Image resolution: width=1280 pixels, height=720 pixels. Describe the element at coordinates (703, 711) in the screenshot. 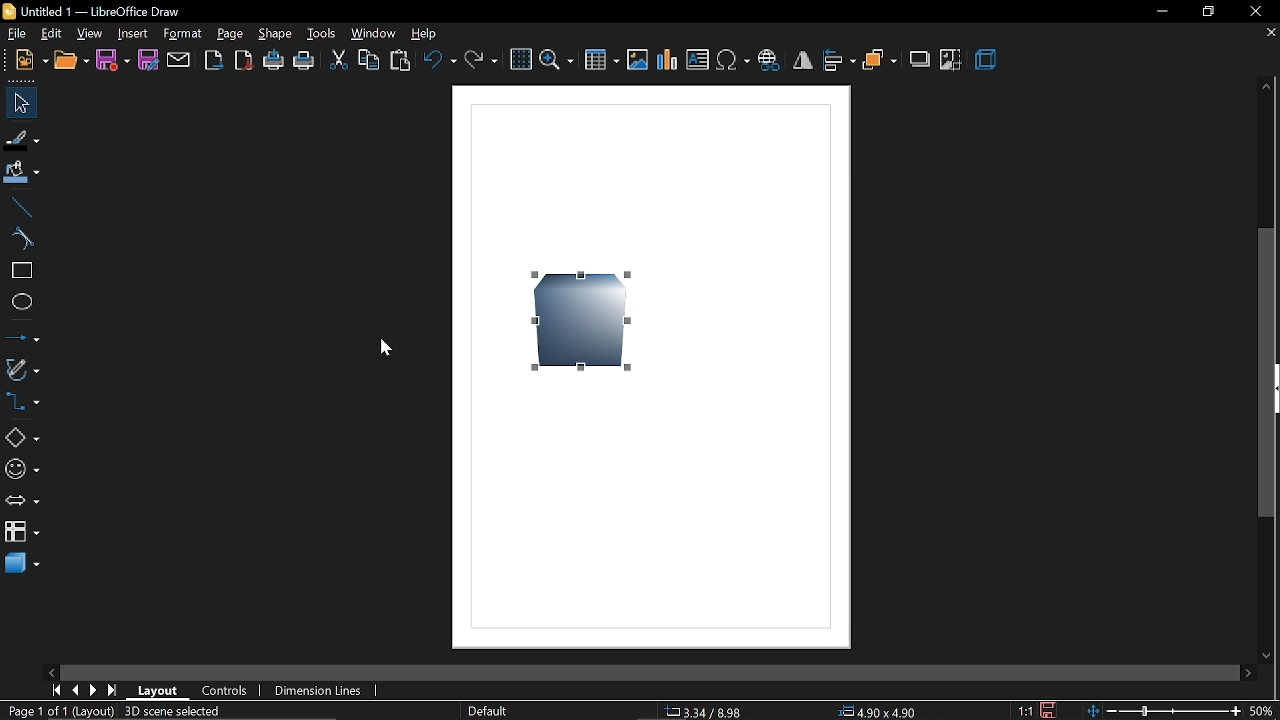

I see `co-ordinates` at that location.